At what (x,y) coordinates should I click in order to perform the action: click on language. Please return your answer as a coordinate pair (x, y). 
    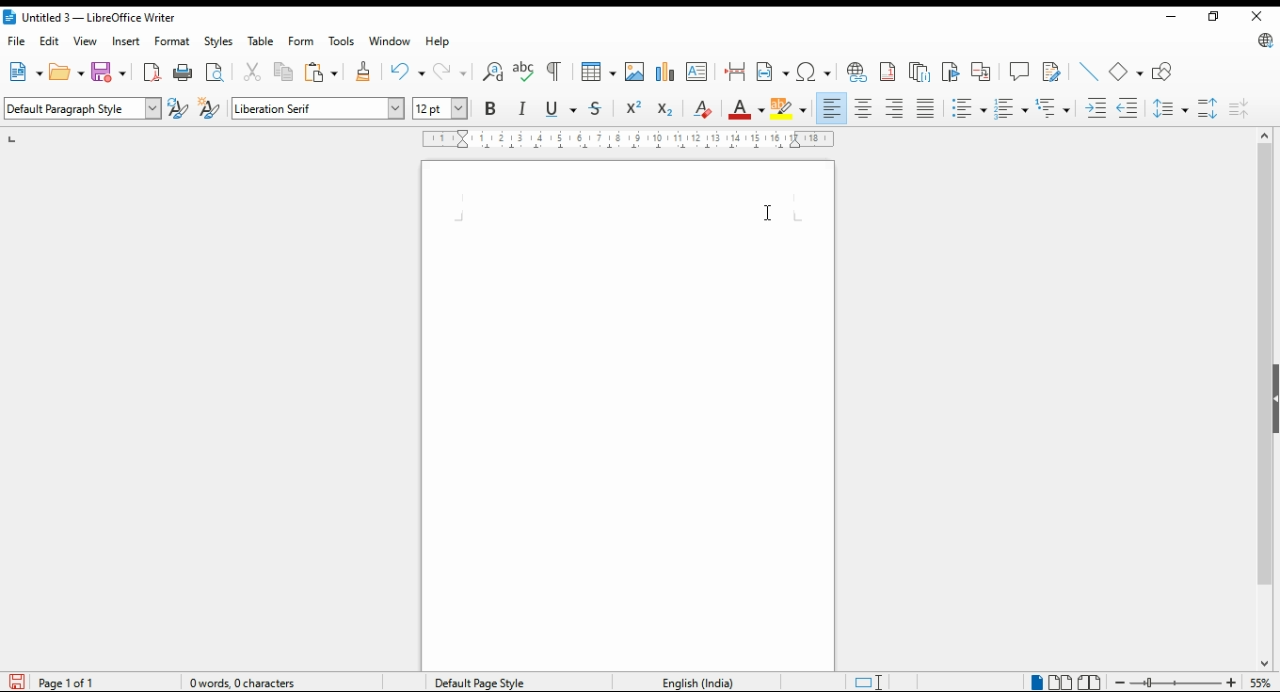
    Looking at the image, I should click on (696, 681).